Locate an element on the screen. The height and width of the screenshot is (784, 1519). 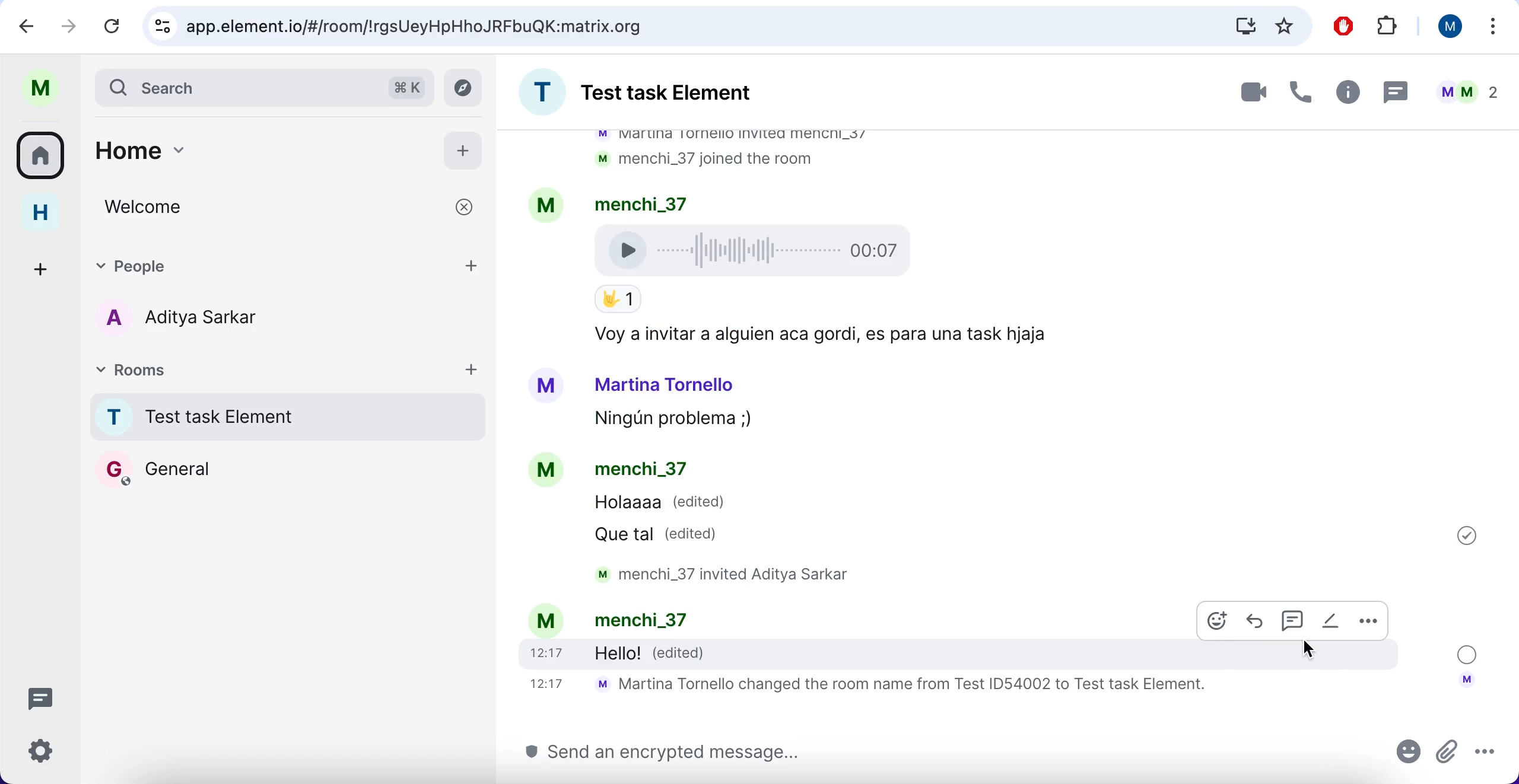
video call is located at coordinates (1238, 93).